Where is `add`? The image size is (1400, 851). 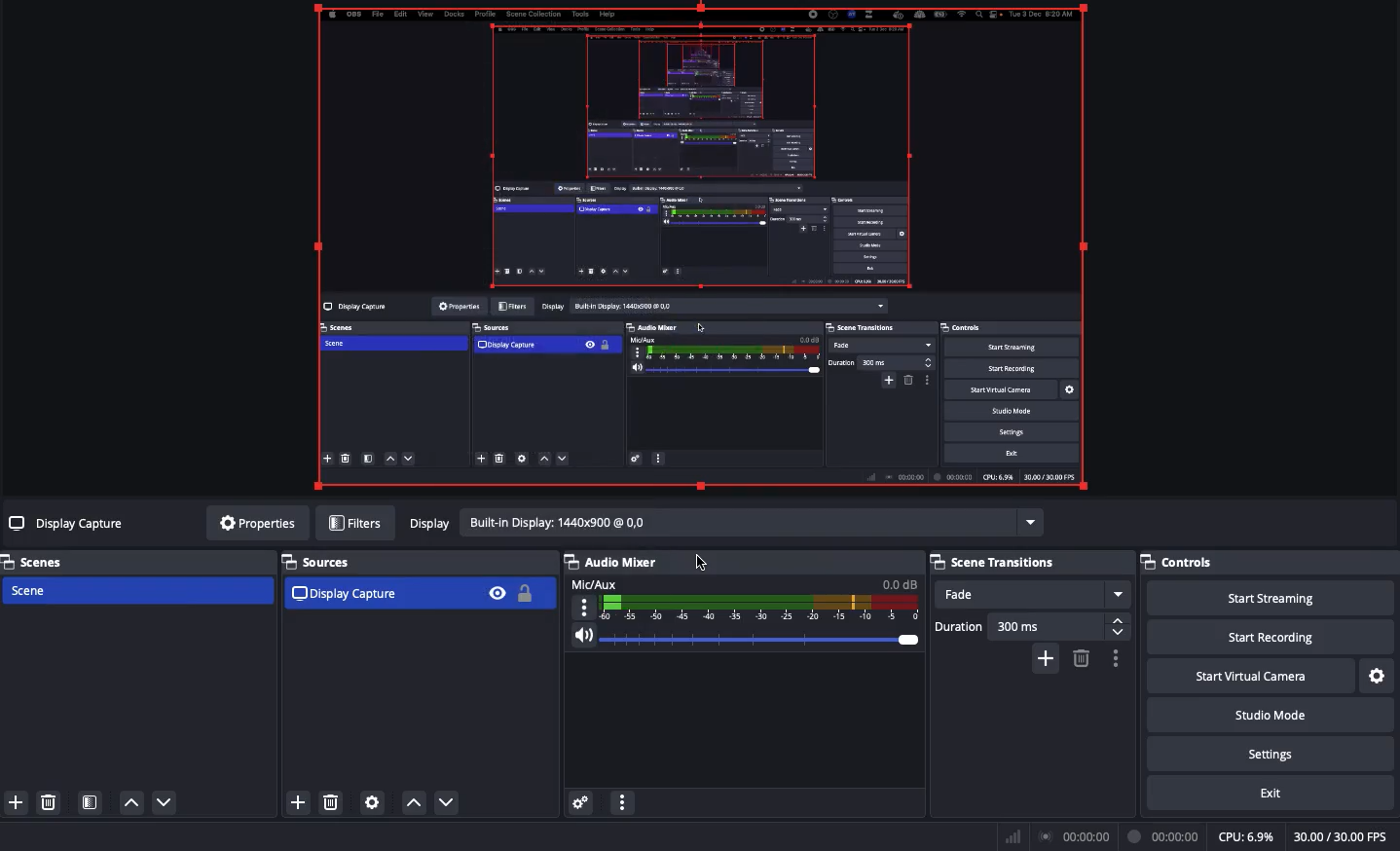
add is located at coordinates (298, 801).